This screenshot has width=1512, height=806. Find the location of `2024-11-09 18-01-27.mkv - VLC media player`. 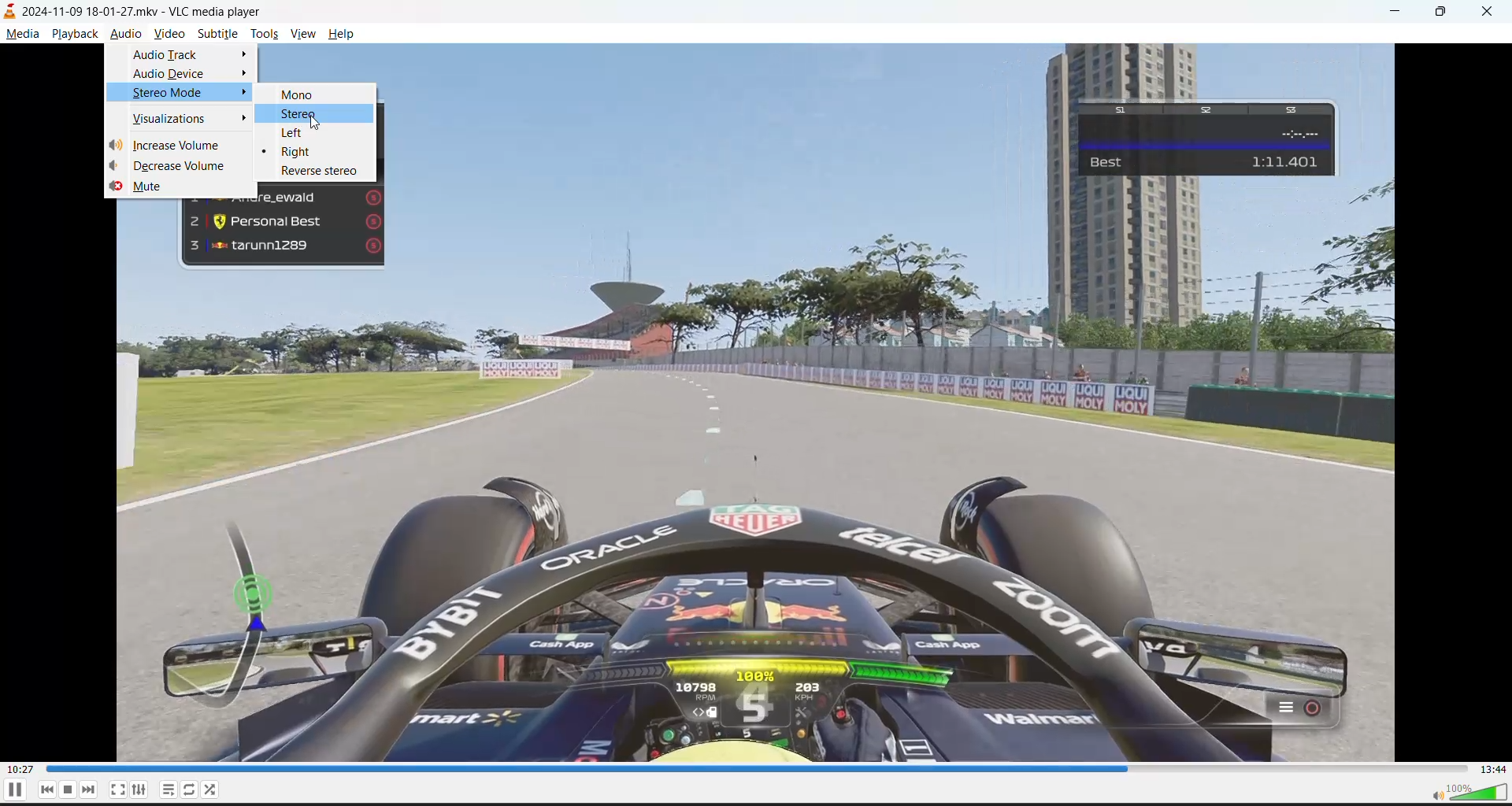

2024-11-09 18-01-27.mkv - VLC media player is located at coordinates (134, 11).